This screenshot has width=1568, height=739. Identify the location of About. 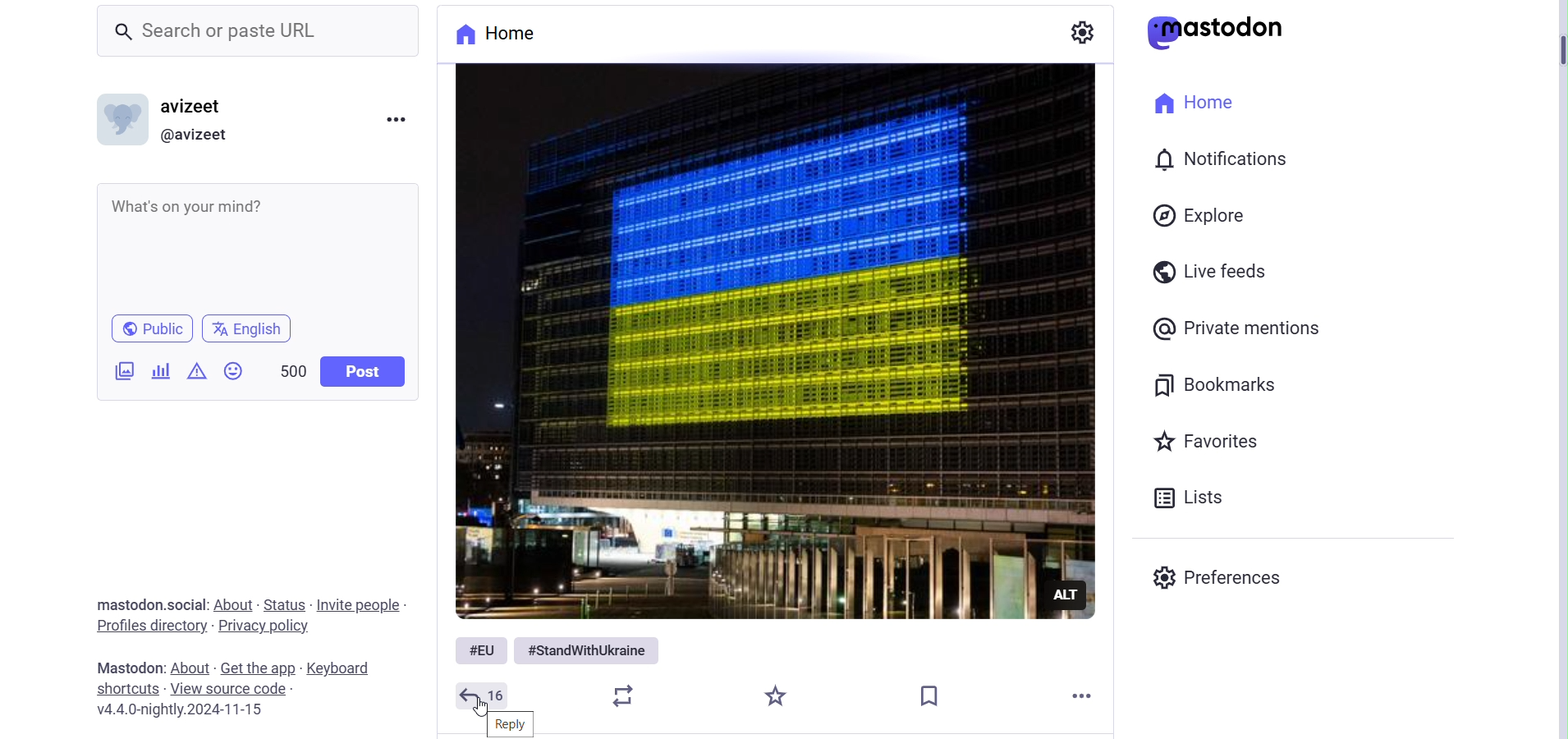
(234, 604).